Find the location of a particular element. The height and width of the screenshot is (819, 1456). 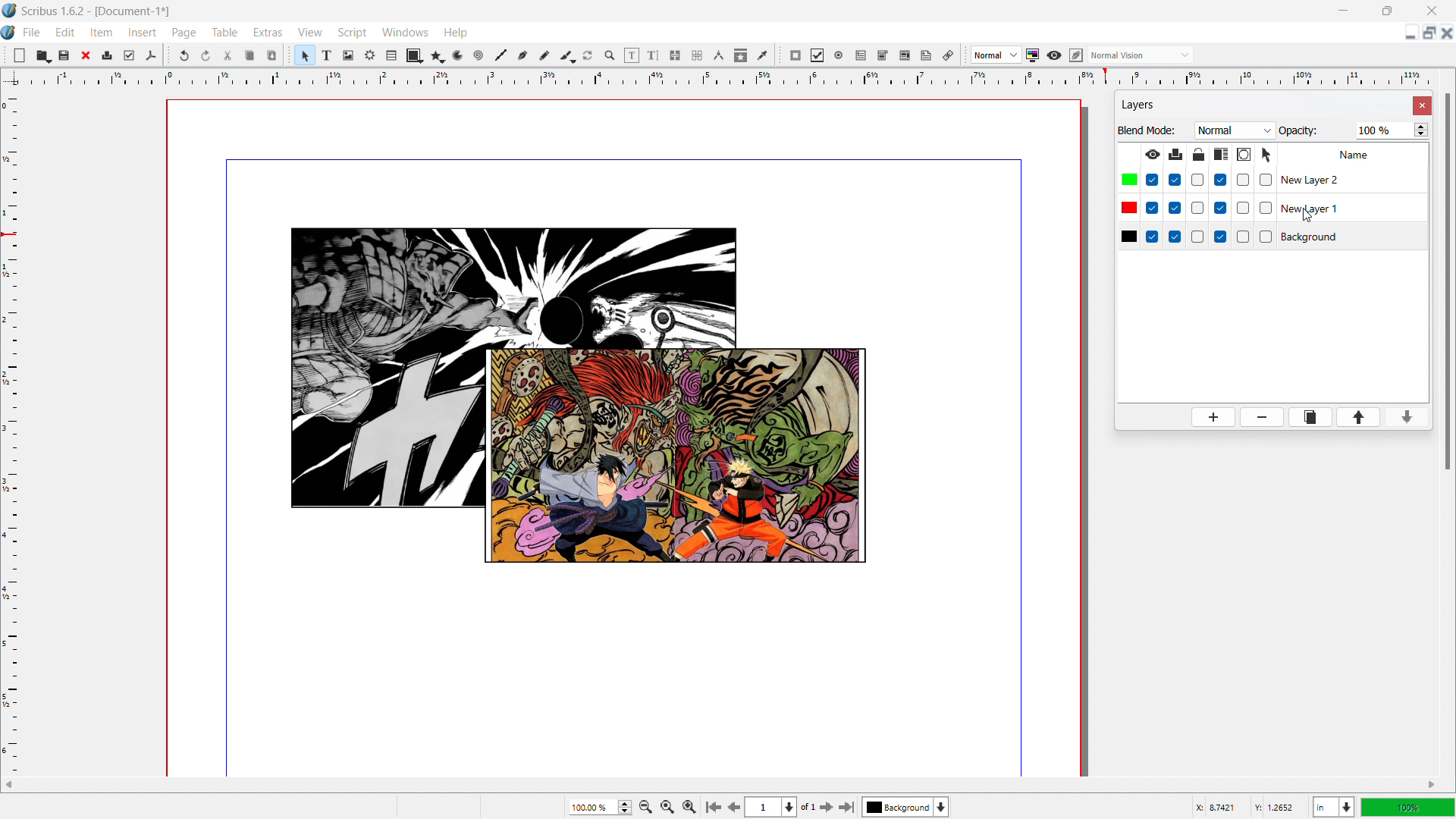

rotate item is located at coordinates (589, 55).